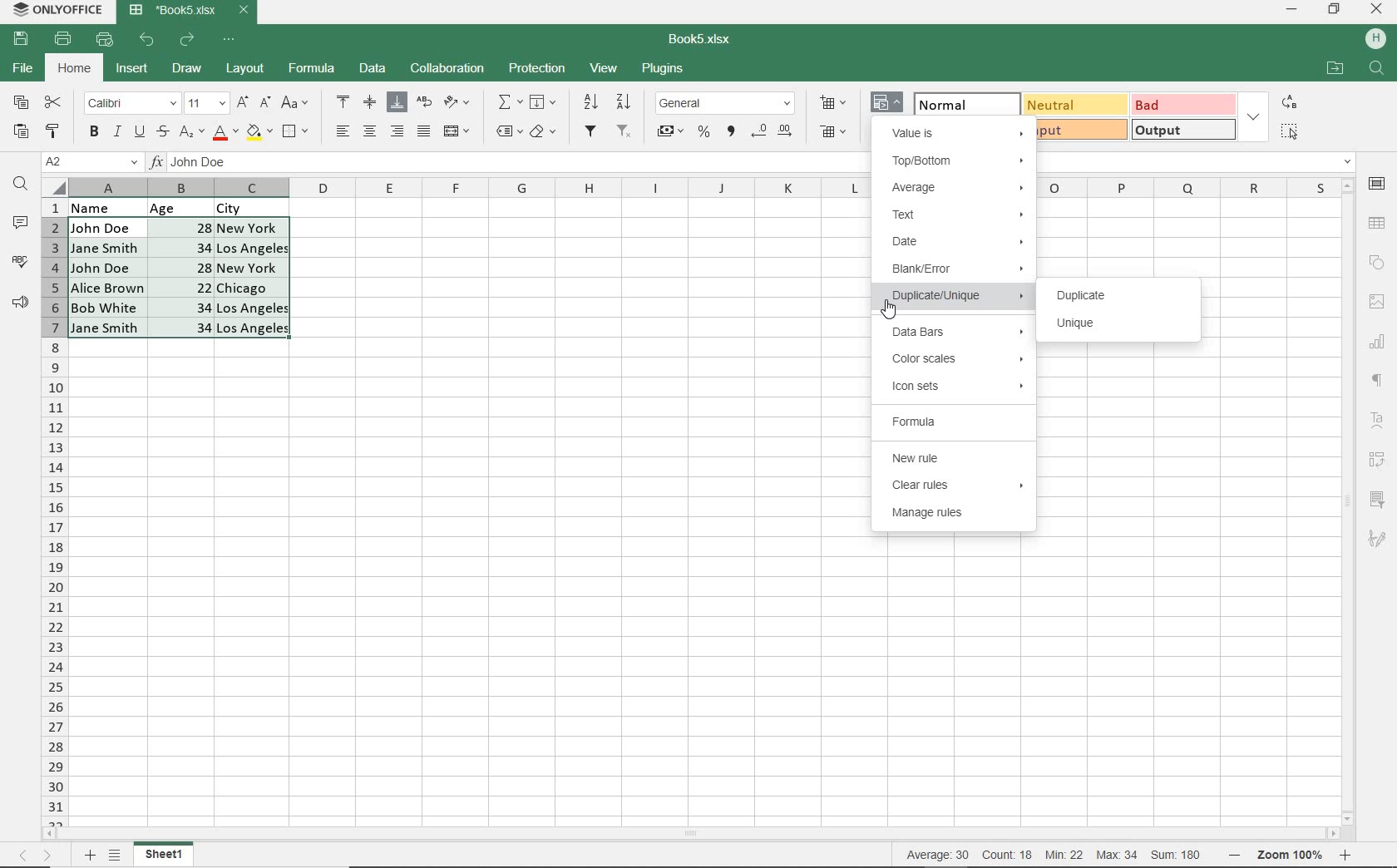  Describe the element at coordinates (23, 223) in the screenshot. I see `COMMENTS` at that location.